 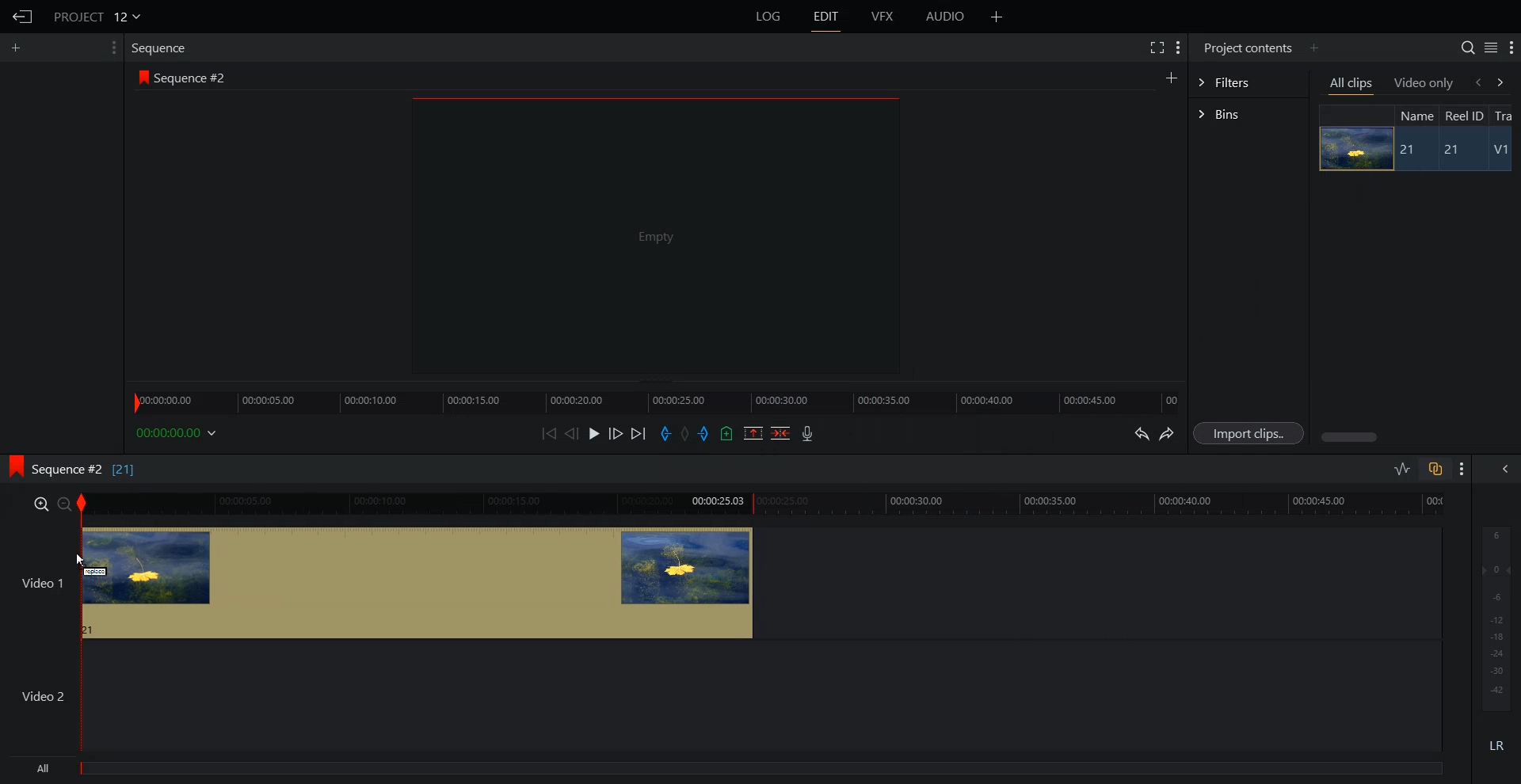 What do you see at coordinates (194, 78) in the screenshot?
I see `Sequence #2` at bounding box center [194, 78].